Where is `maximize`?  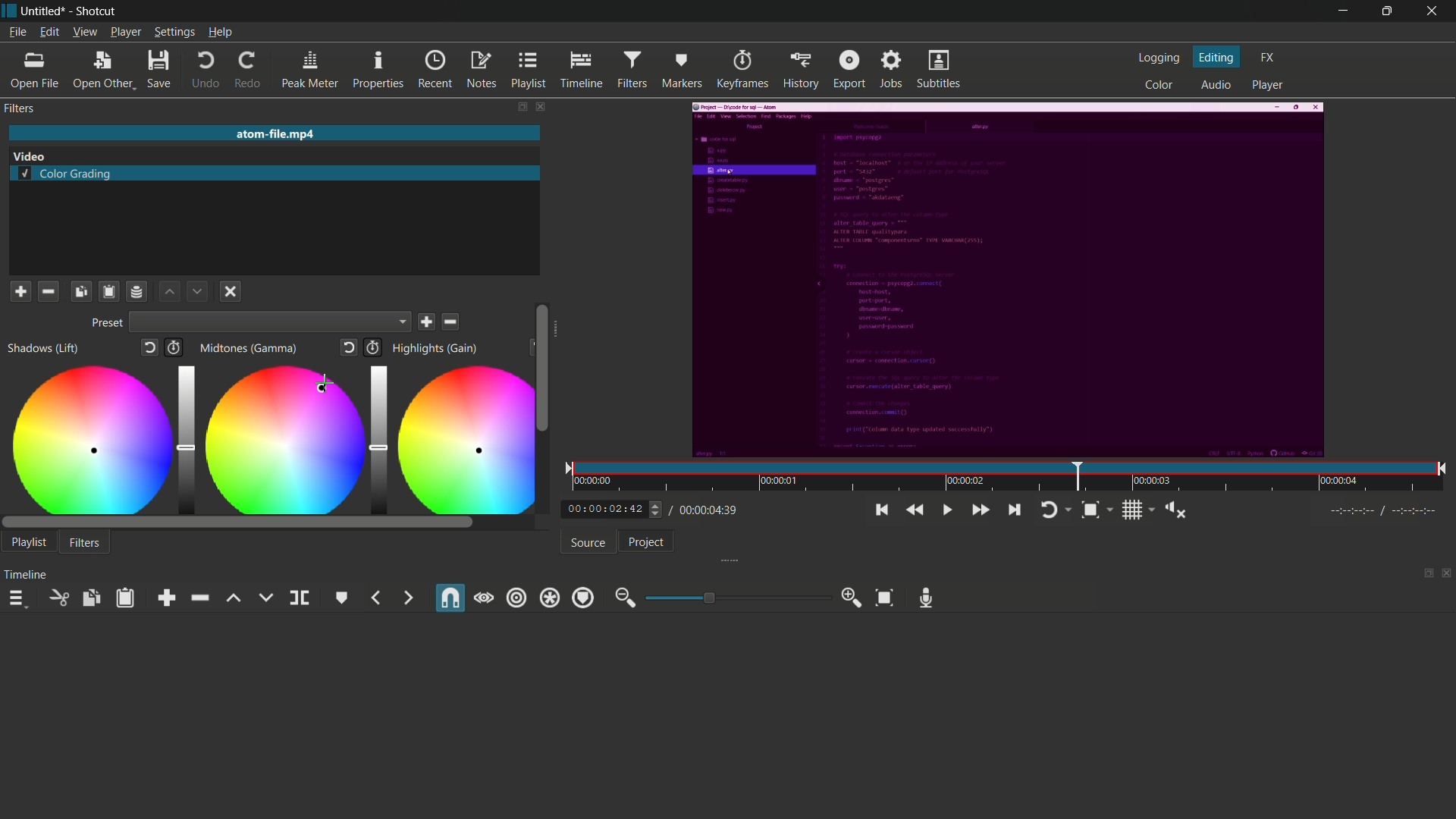
maximize is located at coordinates (1385, 11).